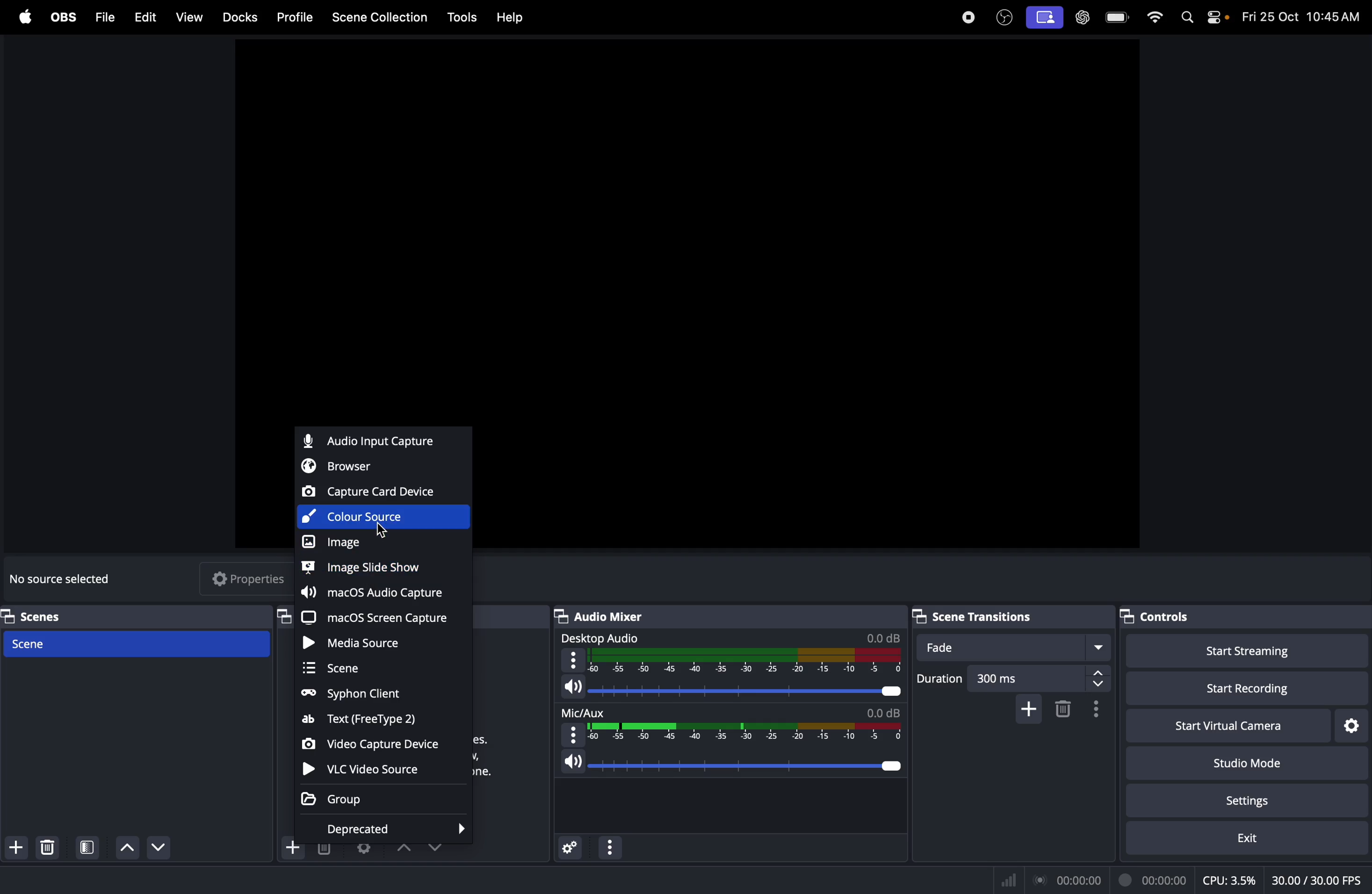  I want to click on time and date, so click(1302, 14).